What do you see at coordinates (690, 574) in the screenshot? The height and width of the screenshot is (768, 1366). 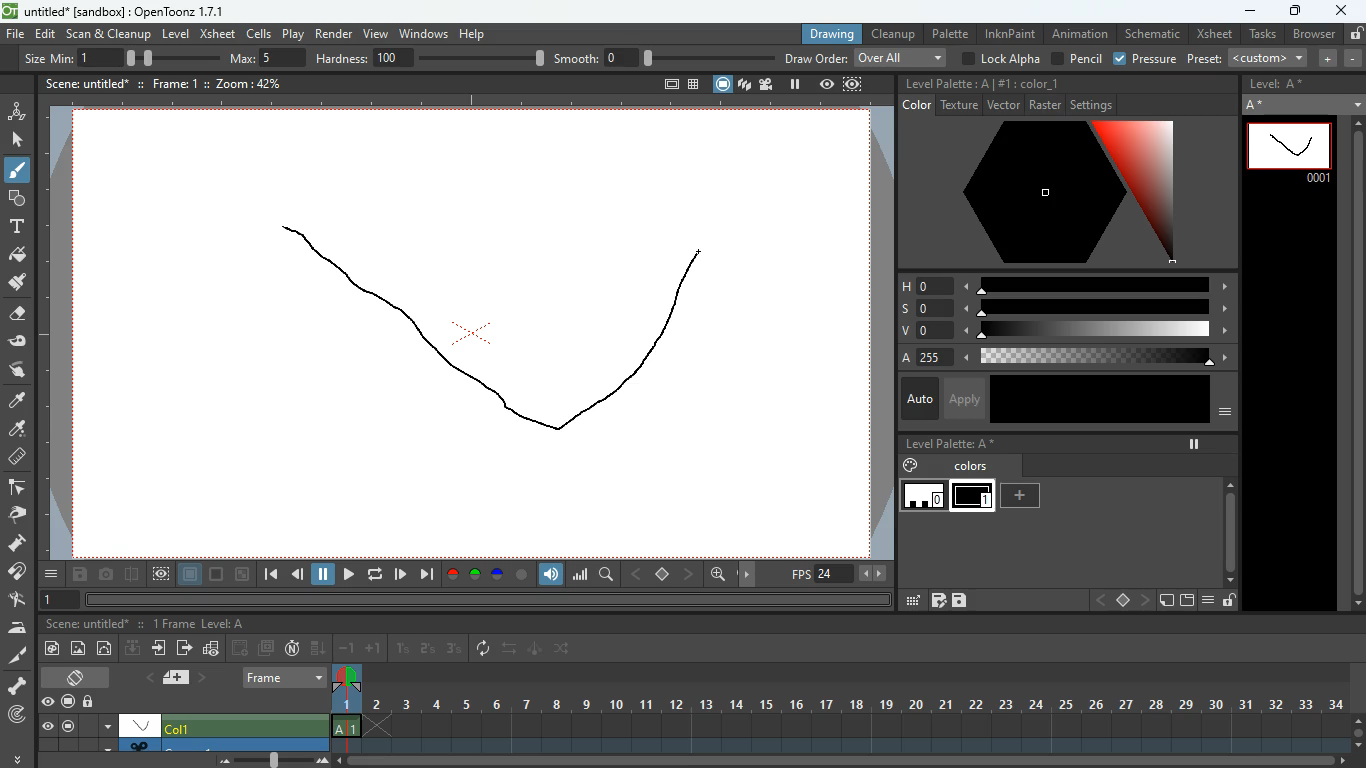 I see `right` at bounding box center [690, 574].